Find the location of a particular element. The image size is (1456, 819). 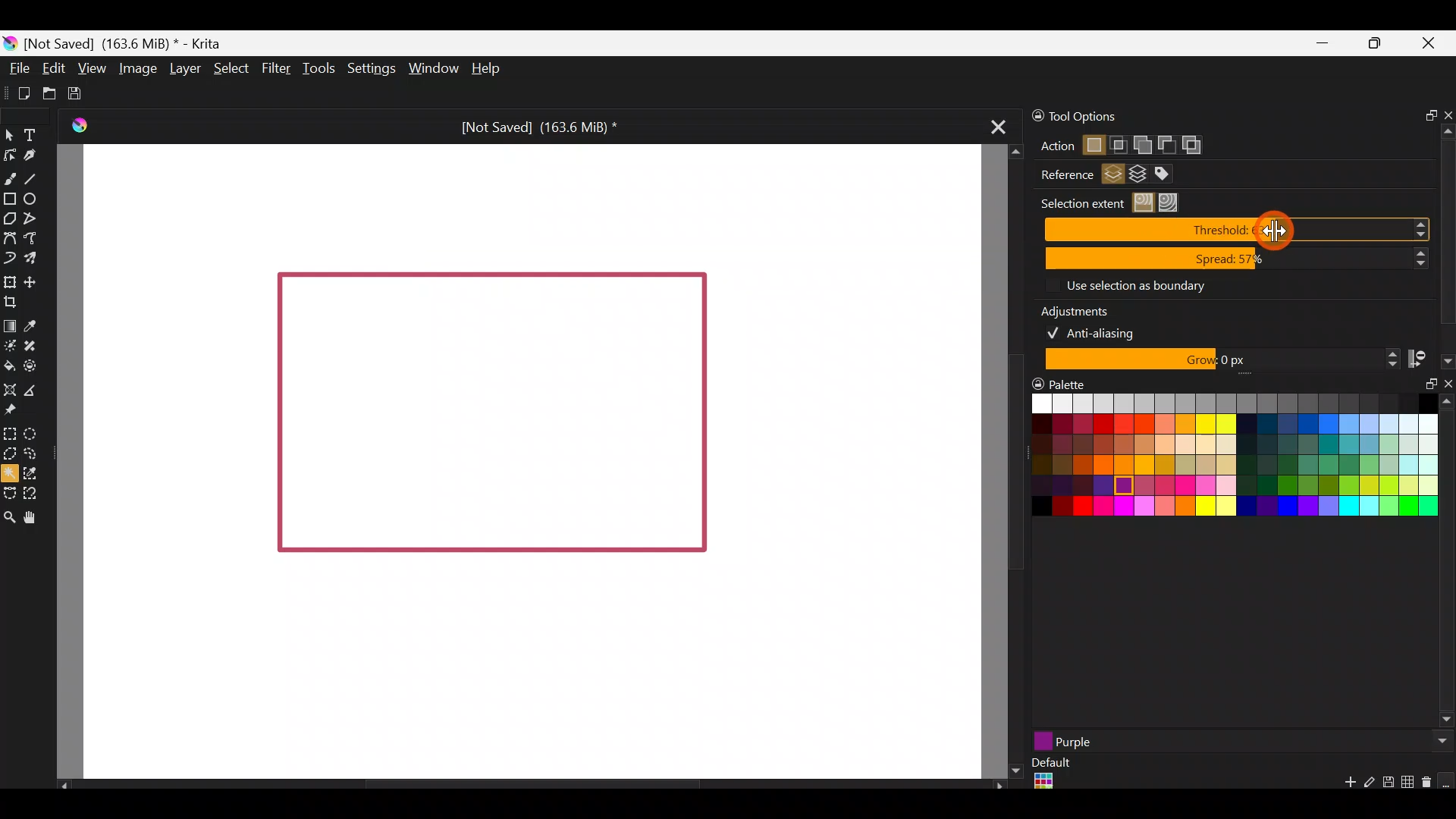

Calligraphy is located at coordinates (33, 155).